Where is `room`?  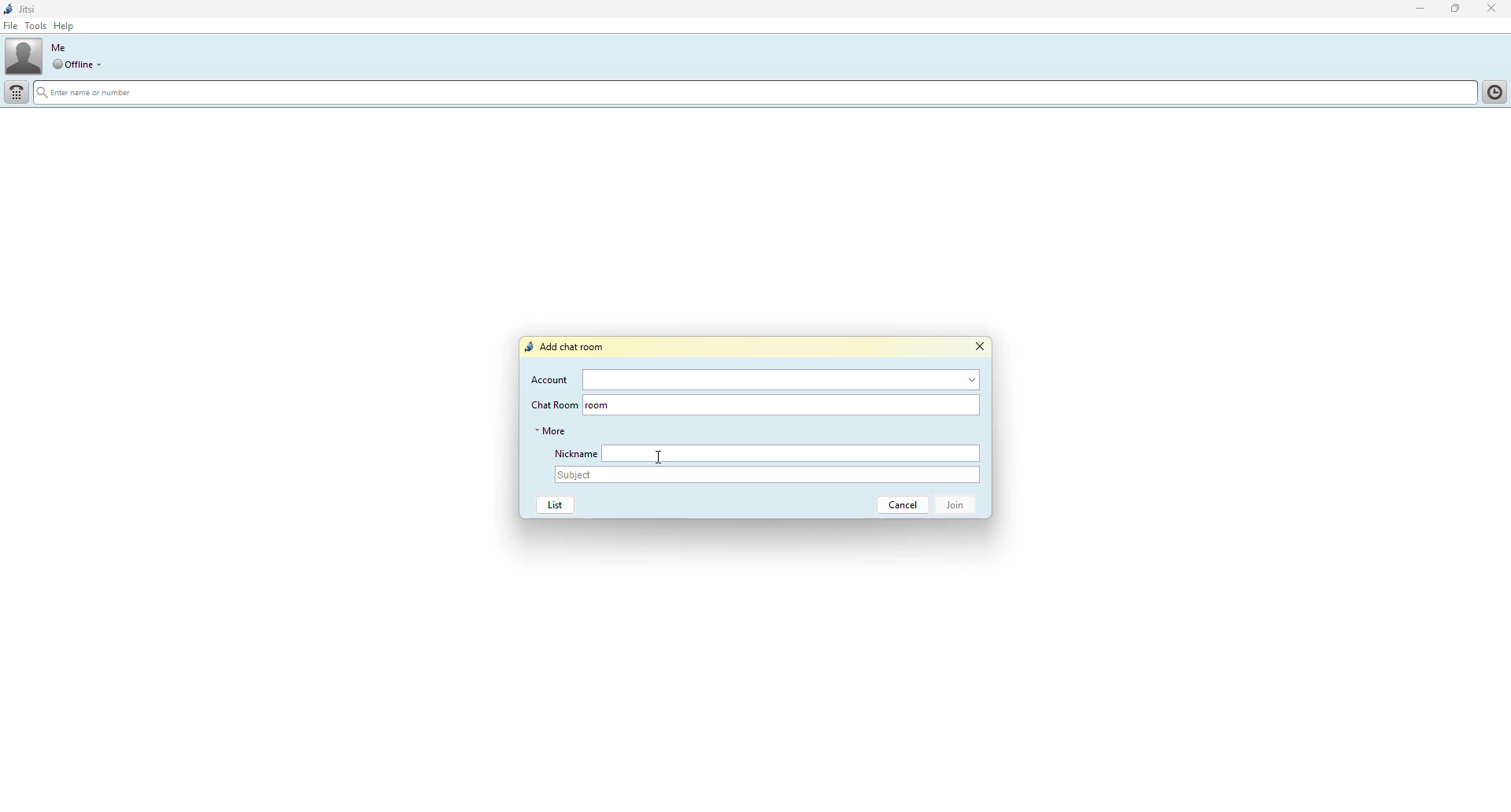 room is located at coordinates (597, 405).